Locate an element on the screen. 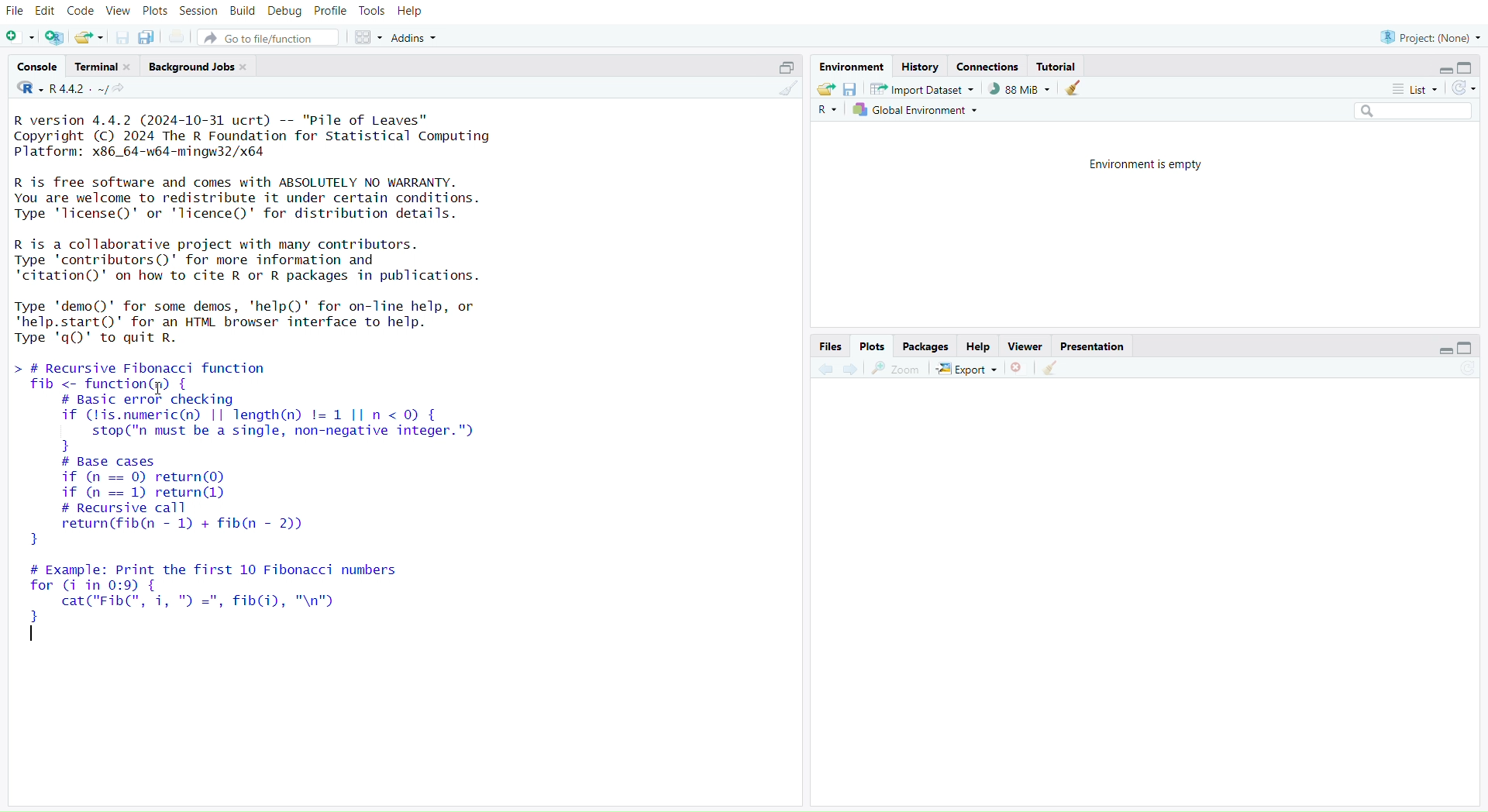  refresh all plot is located at coordinates (1459, 370).